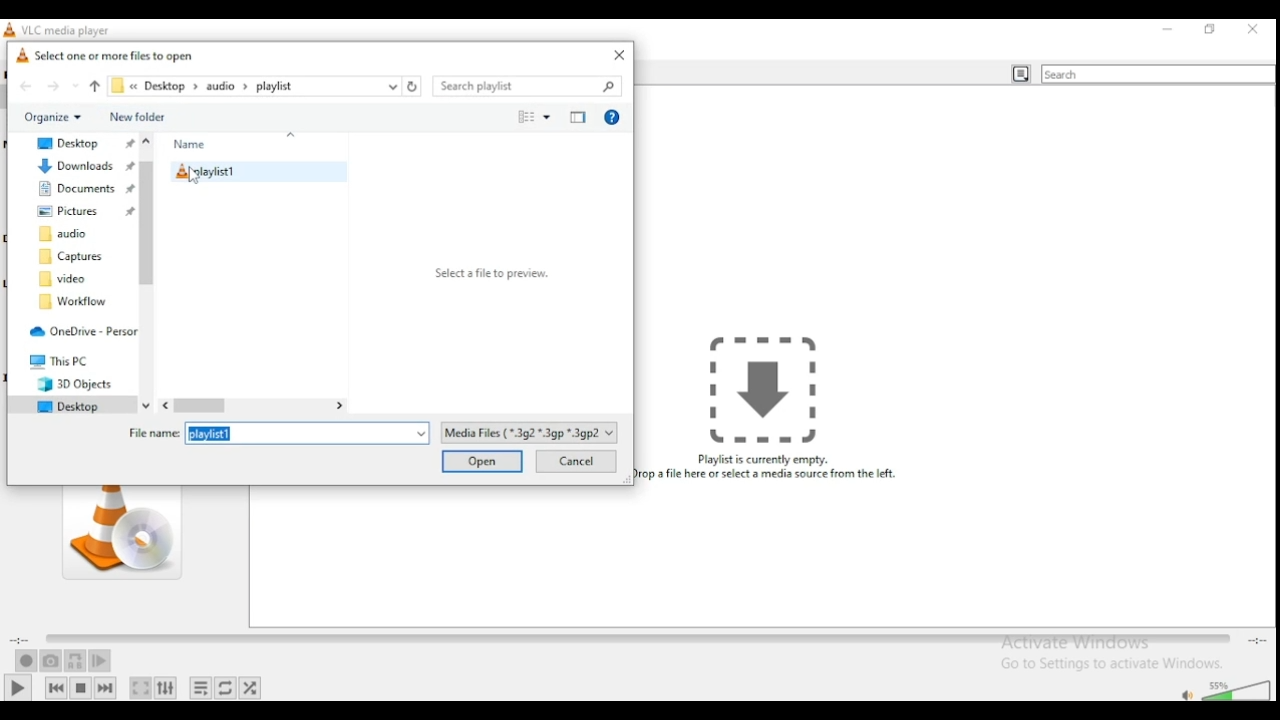  Describe the element at coordinates (75, 662) in the screenshot. I see `loop between point A and point B continuously. Click to add point A` at that location.